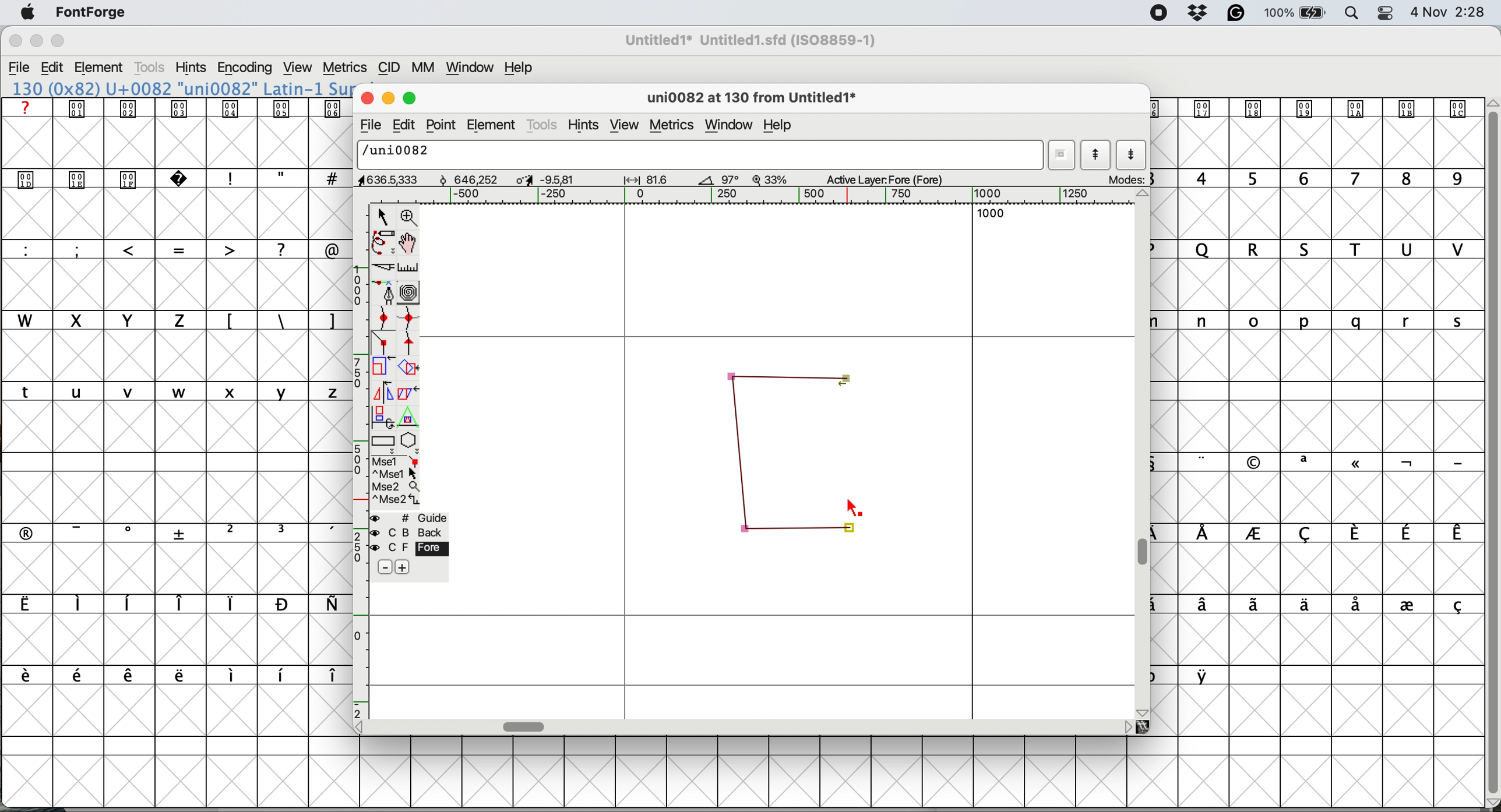 Image resolution: width=1501 pixels, height=812 pixels. Describe the element at coordinates (385, 243) in the screenshot. I see `freehand draw` at that location.